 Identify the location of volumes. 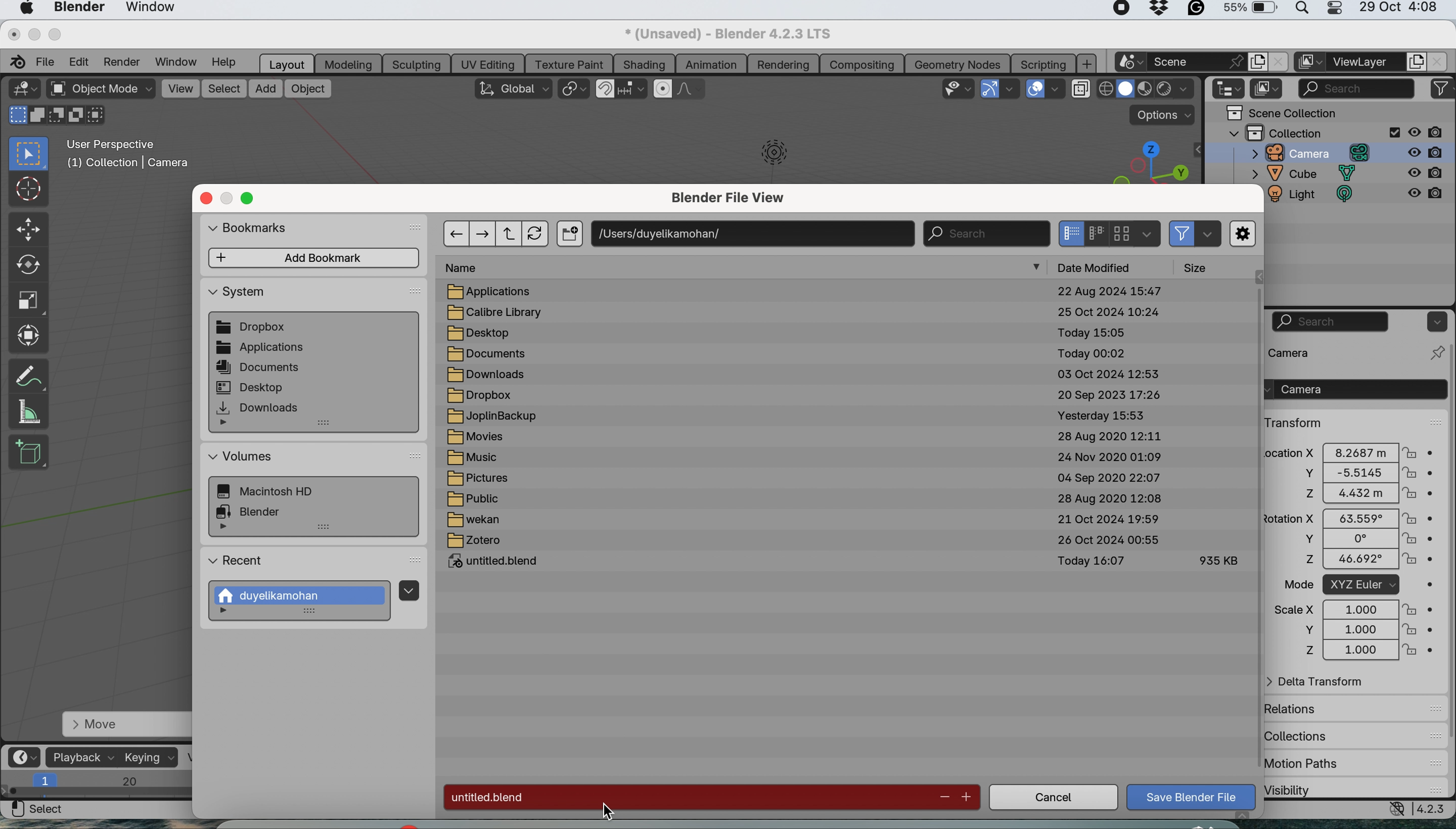
(242, 457).